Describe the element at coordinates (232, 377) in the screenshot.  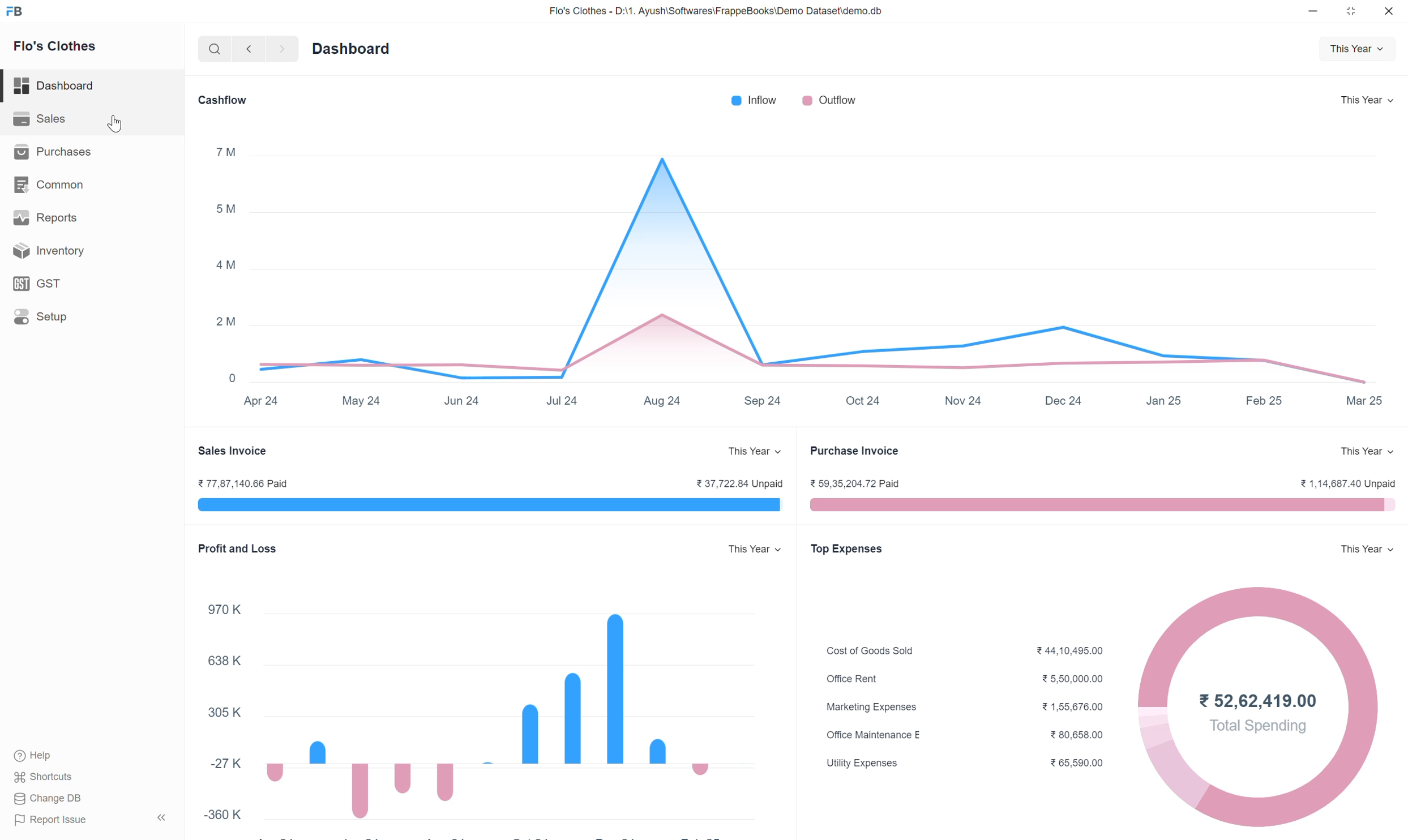
I see `0` at that location.